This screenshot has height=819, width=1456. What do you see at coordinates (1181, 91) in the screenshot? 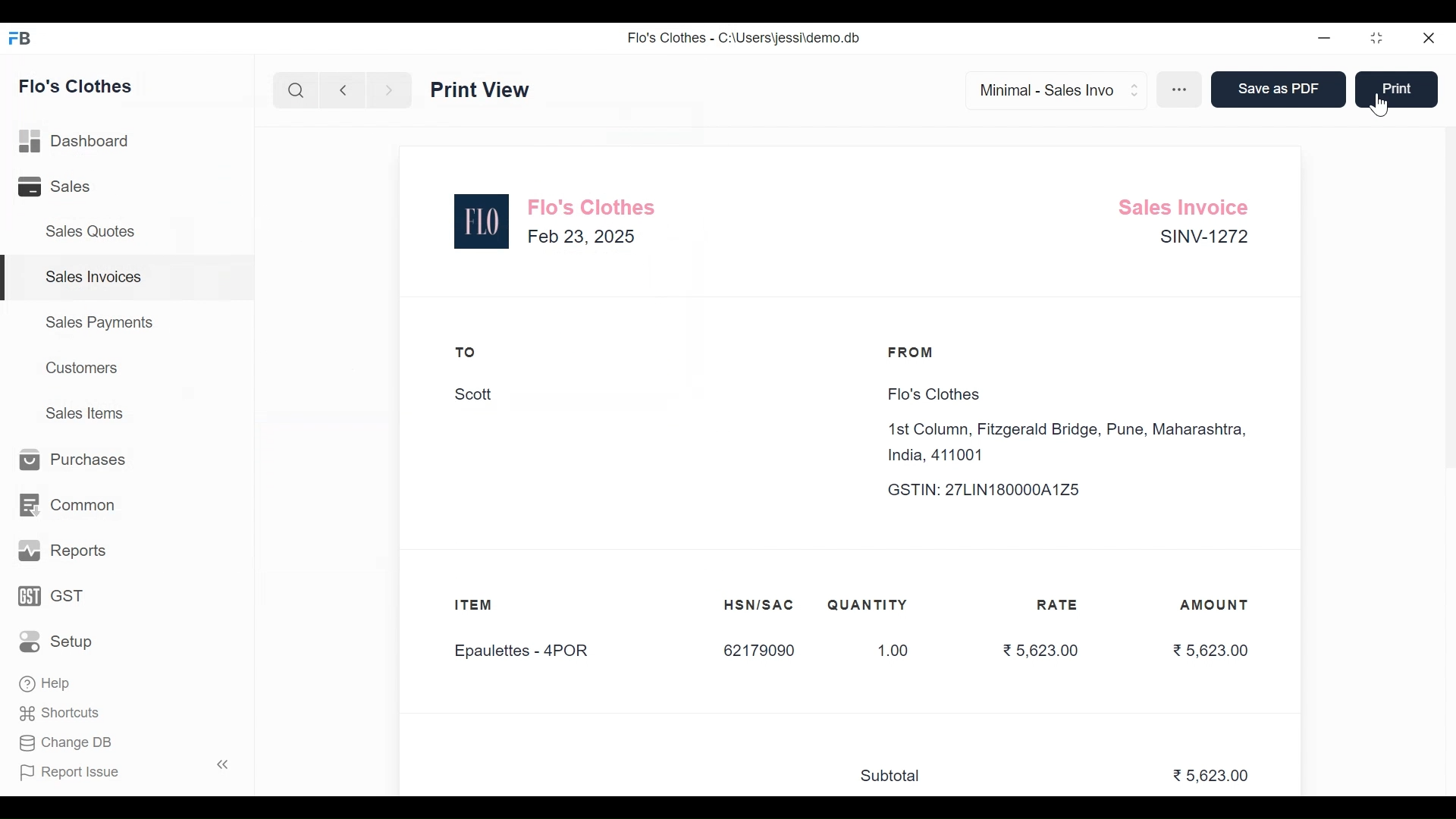
I see `More` at bounding box center [1181, 91].